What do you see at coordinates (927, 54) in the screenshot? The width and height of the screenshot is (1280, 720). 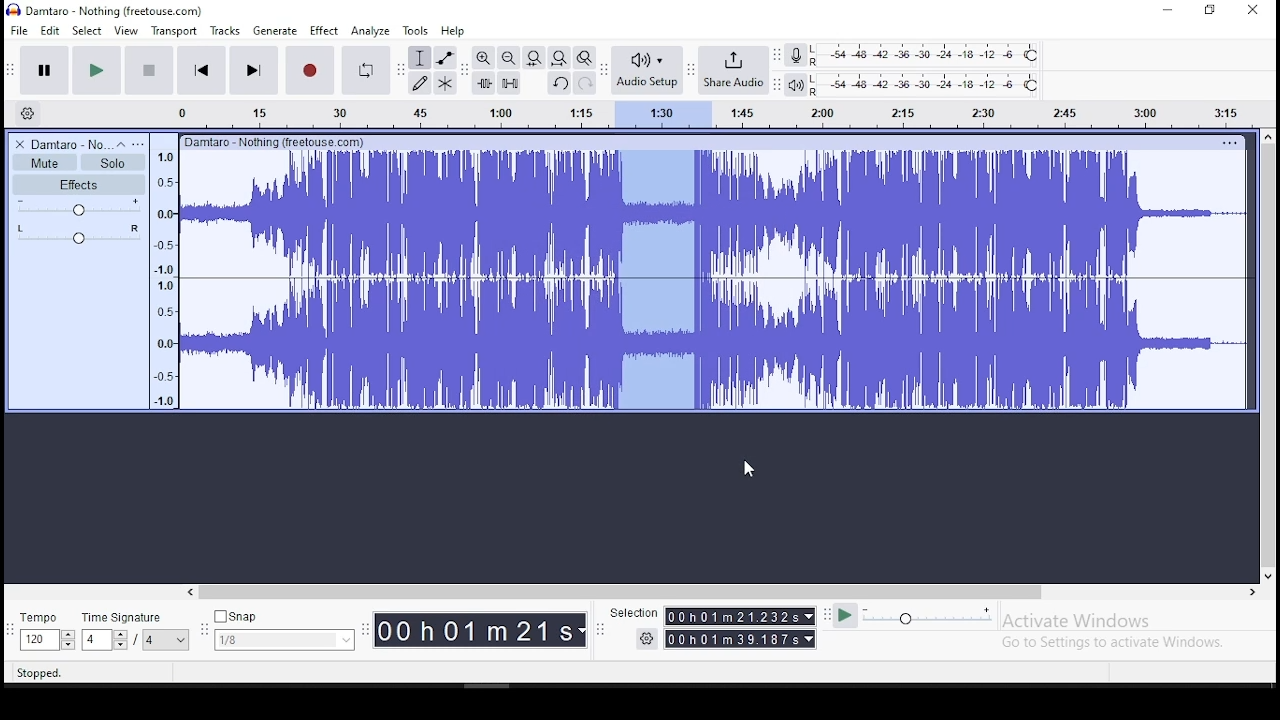 I see `recording level` at bounding box center [927, 54].